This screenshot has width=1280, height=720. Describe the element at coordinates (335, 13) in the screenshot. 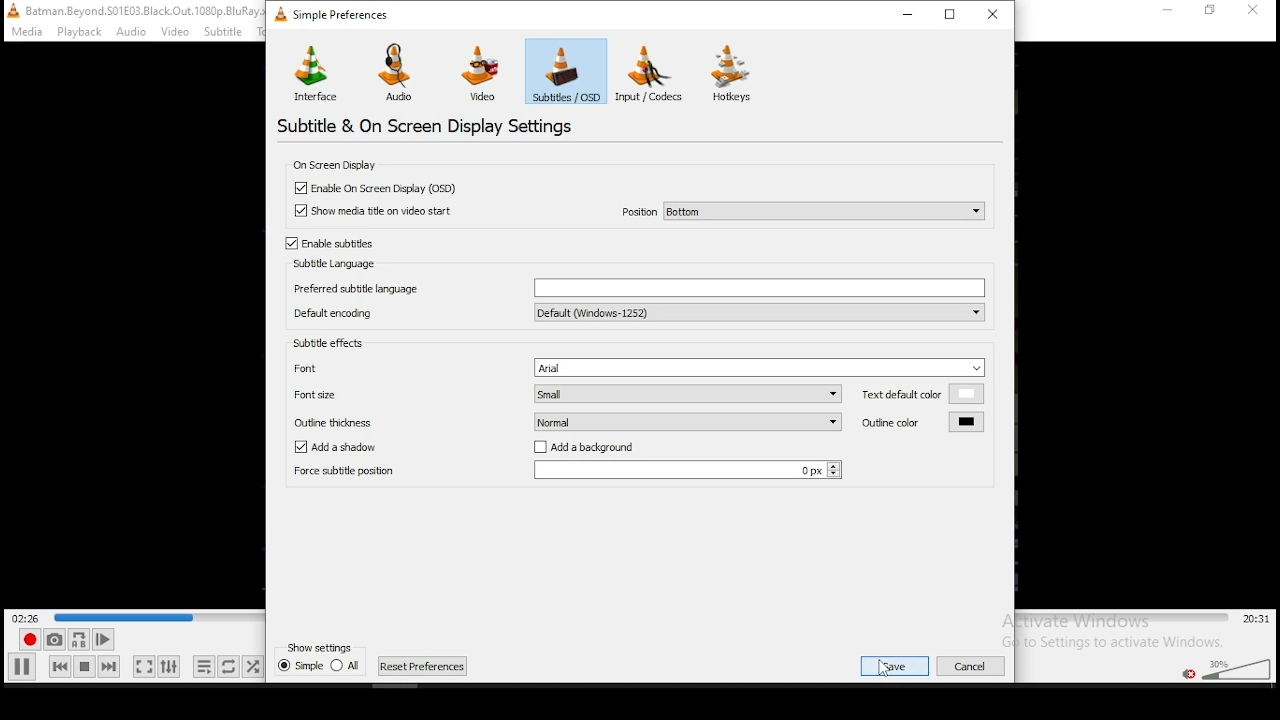

I see `simple settings` at that location.